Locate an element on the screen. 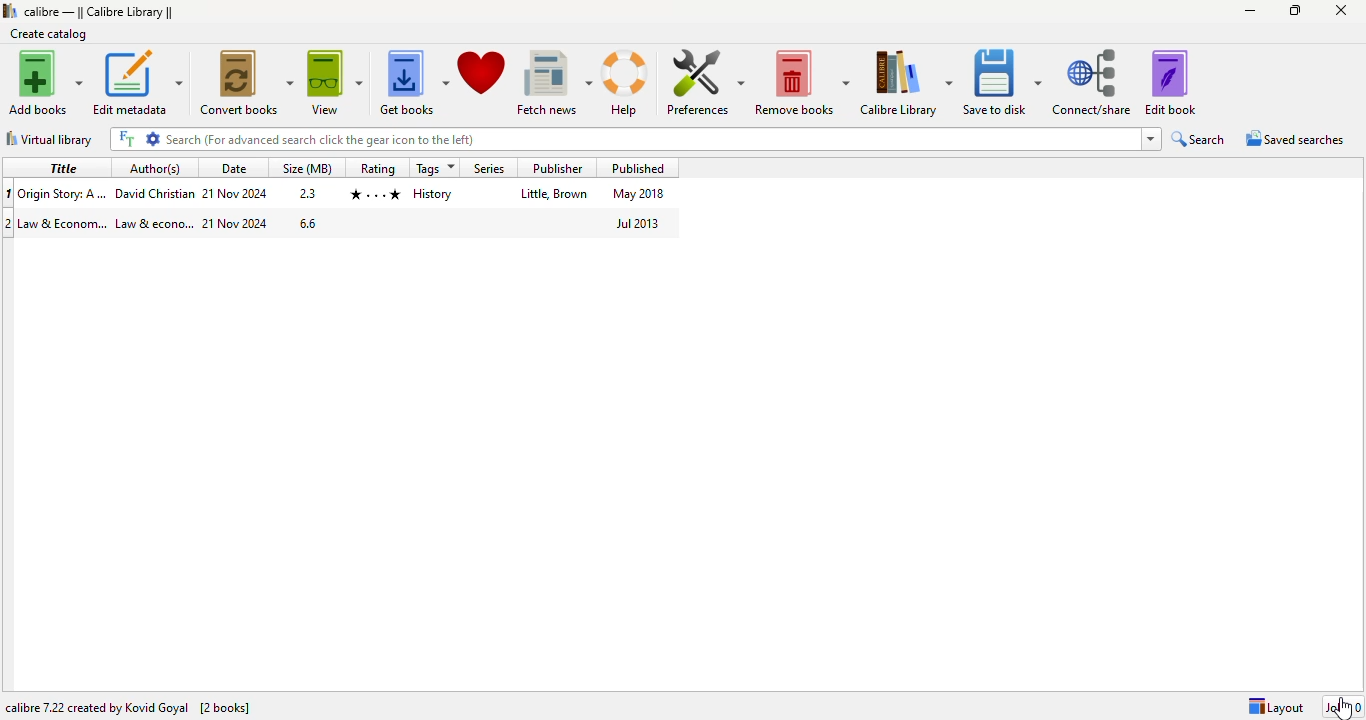 Image resolution: width=1366 pixels, height=720 pixels. 6.6mbs is located at coordinates (310, 224).